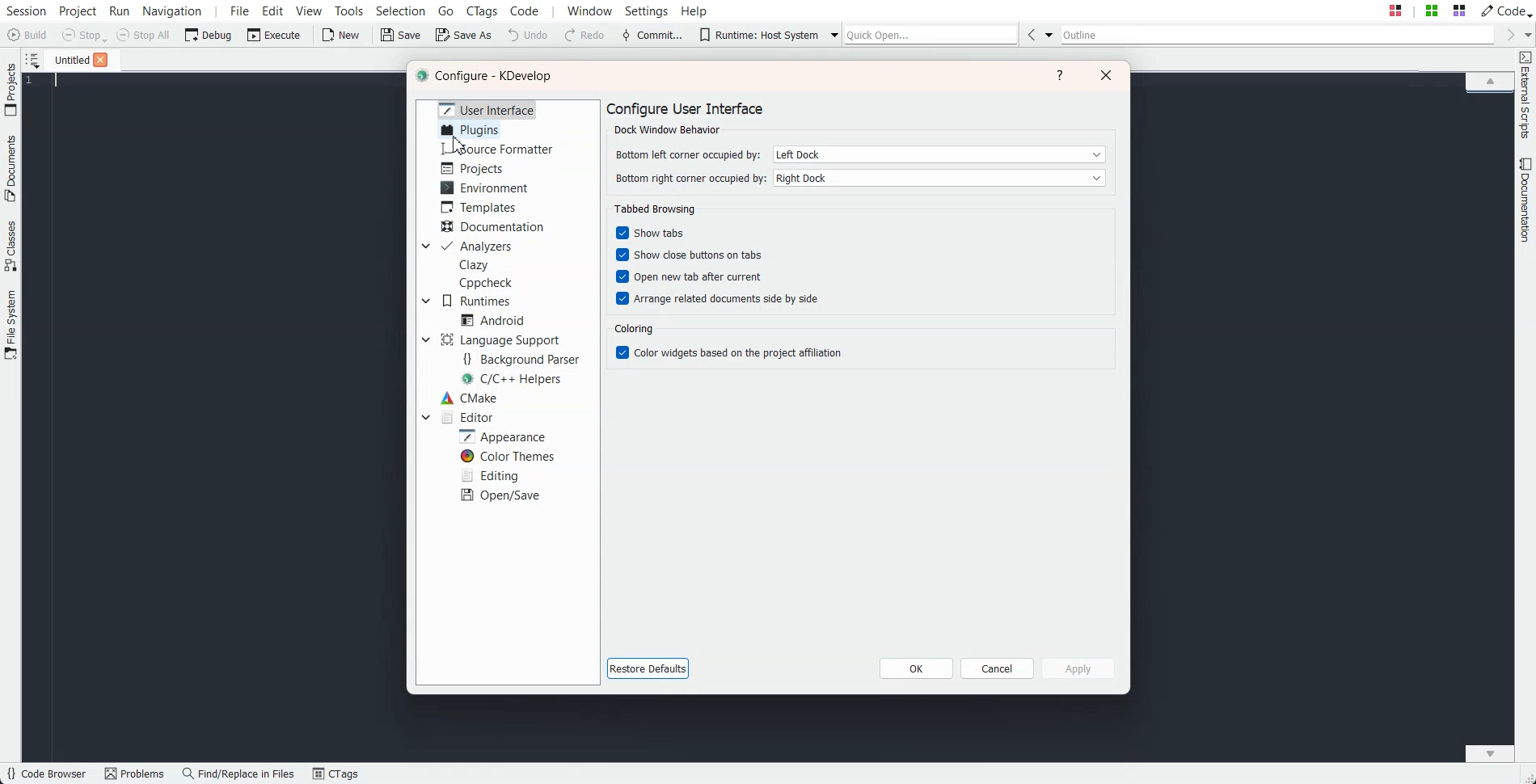 Image resolution: width=1536 pixels, height=784 pixels. Describe the element at coordinates (998, 668) in the screenshot. I see `Cancel` at that location.